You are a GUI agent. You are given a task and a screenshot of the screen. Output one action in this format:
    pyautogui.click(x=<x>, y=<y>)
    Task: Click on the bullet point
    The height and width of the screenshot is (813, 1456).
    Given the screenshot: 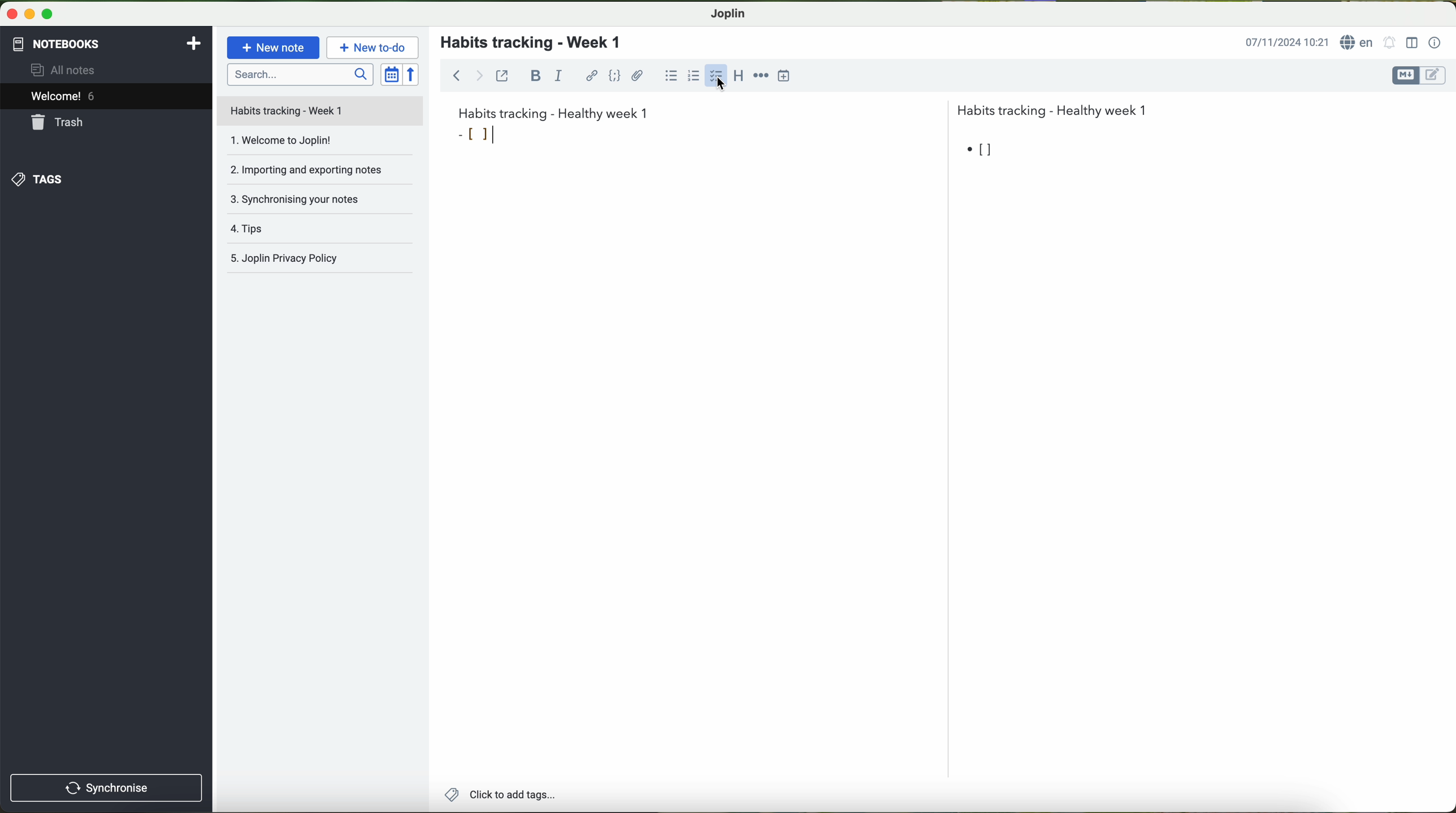 What is the action you would take?
    pyautogui.click(x=981, y=149)
    